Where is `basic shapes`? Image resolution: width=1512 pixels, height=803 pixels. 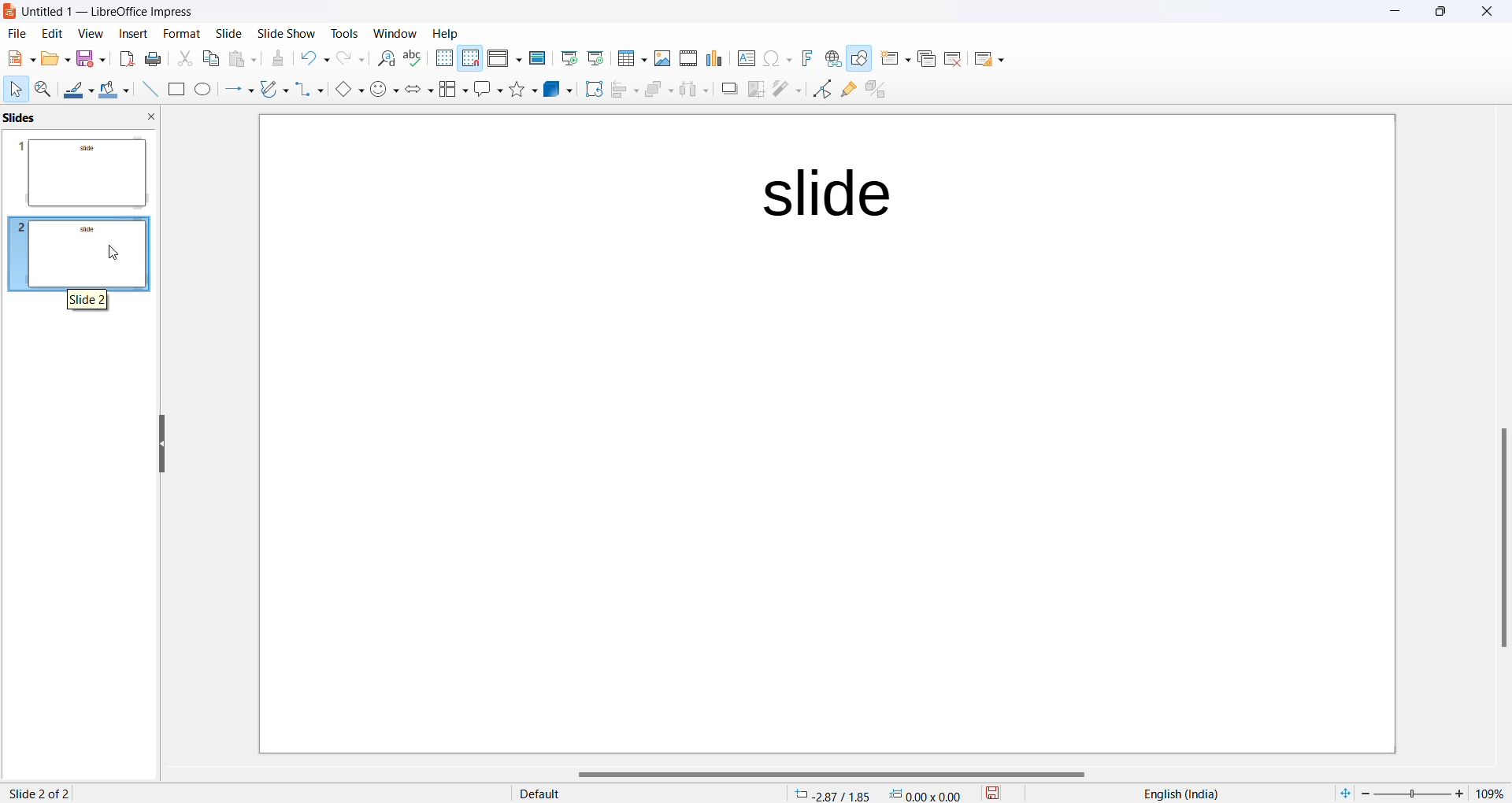
basic shapes is located at coordinates (344, 88).